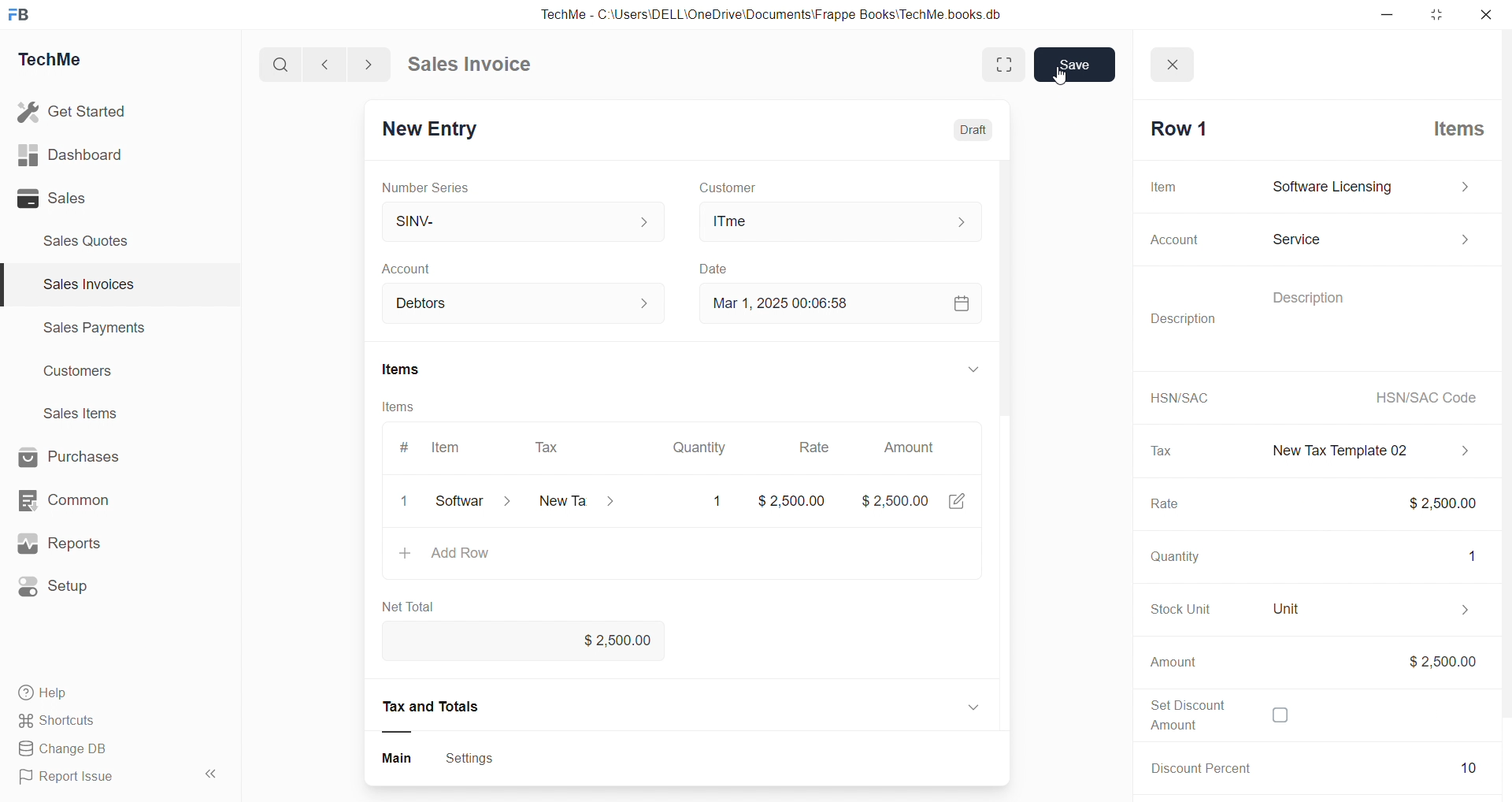 Image resolution: width=1512 pixels, height=802 pixels. What do you see at coordinates (1362, 448) in the screenshot?
I see `New Tax Template 02 >` at bounding box center [1362, 448].